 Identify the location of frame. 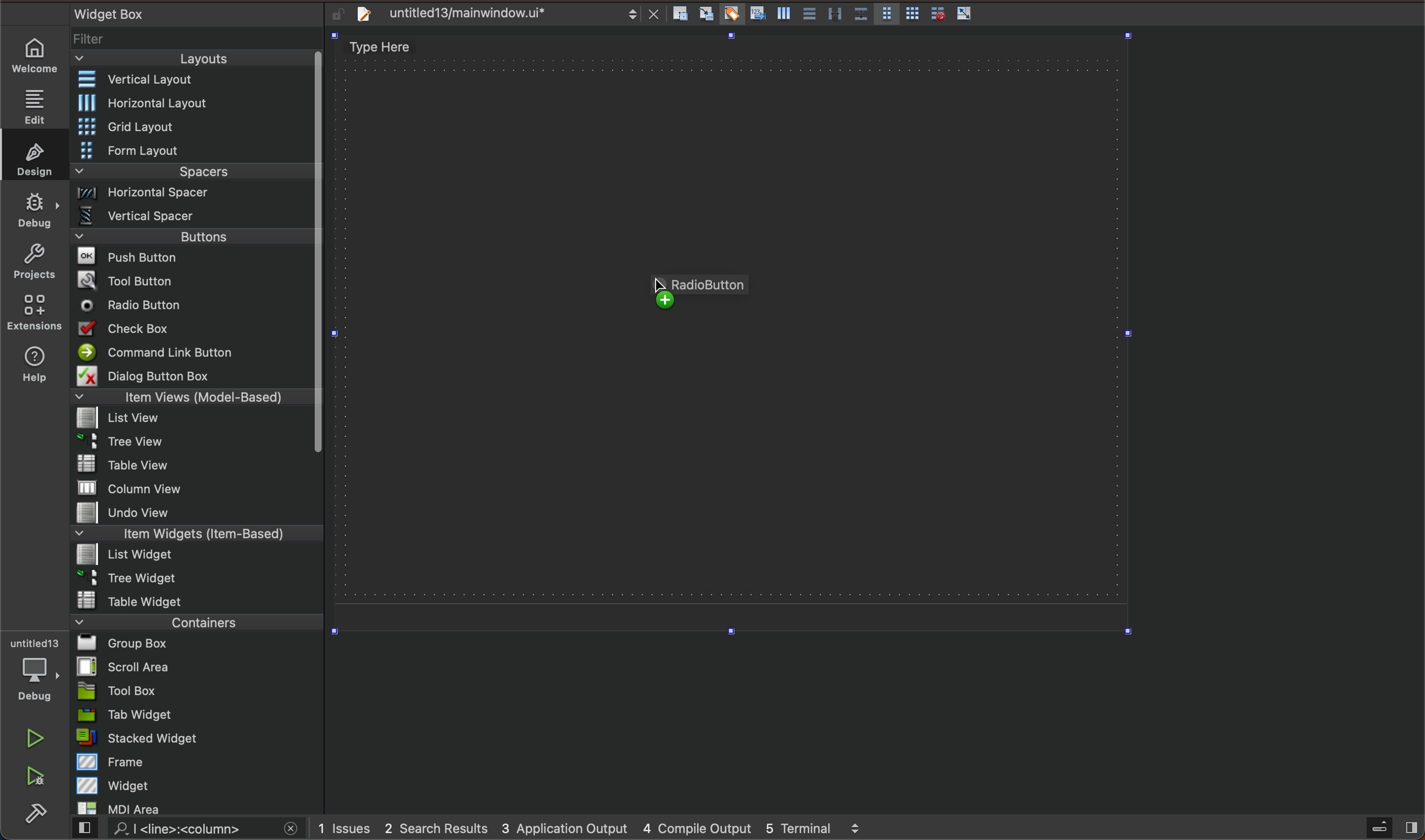
(199, 761).